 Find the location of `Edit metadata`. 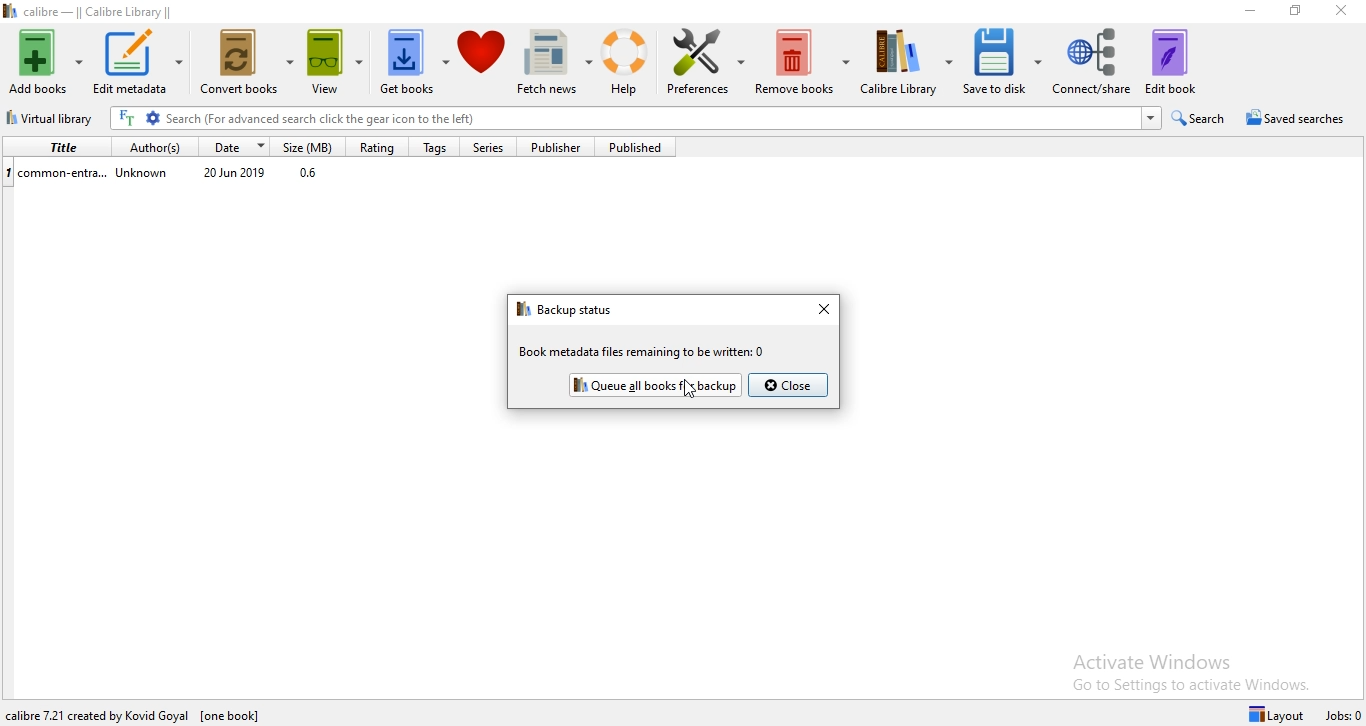

Edit metadata is located at coordinates (138, 63).